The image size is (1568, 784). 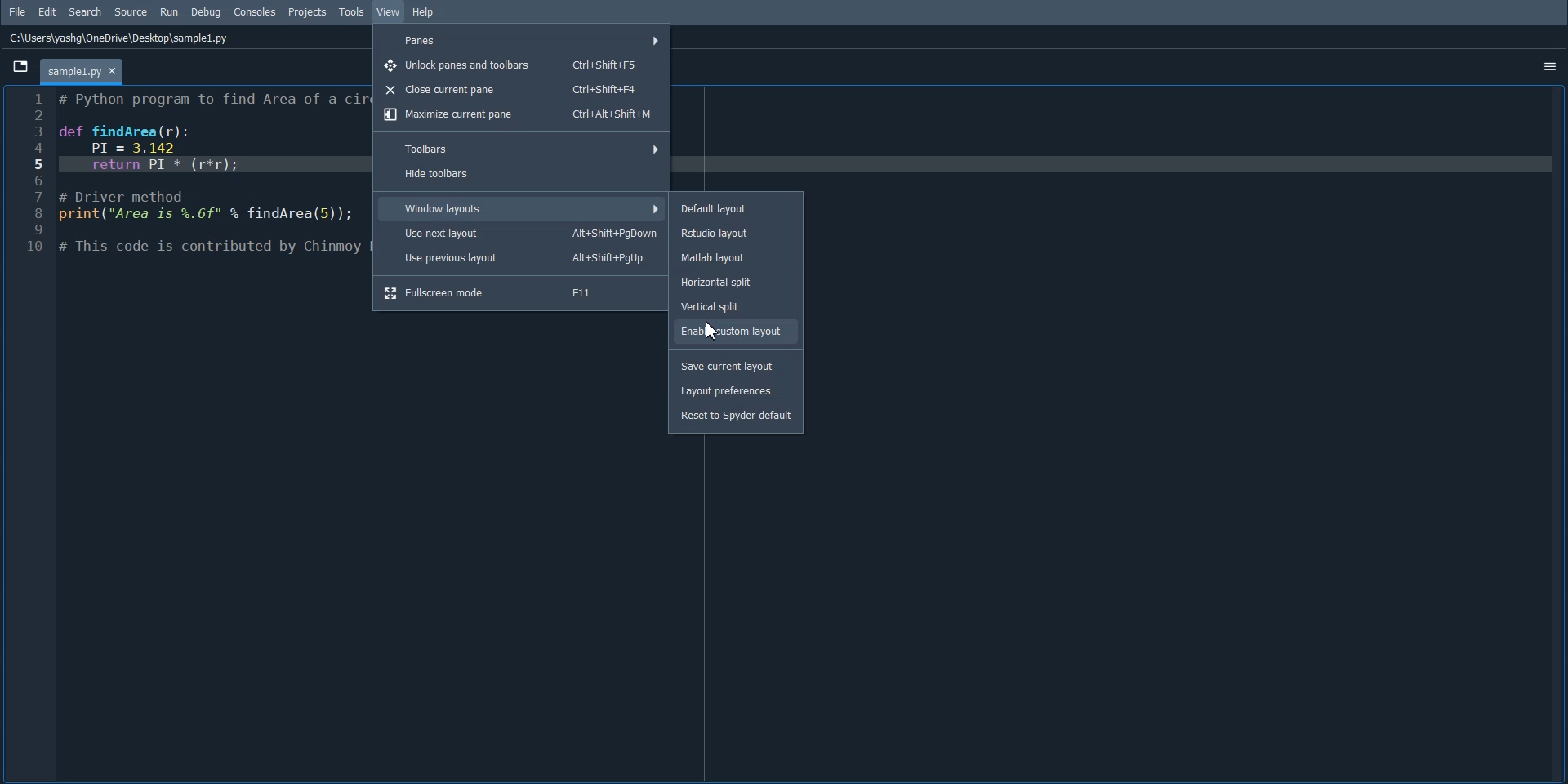 What do you see at coordinates (734, 329) in the screenshot?
I see `` at bounding box center [734, 329].